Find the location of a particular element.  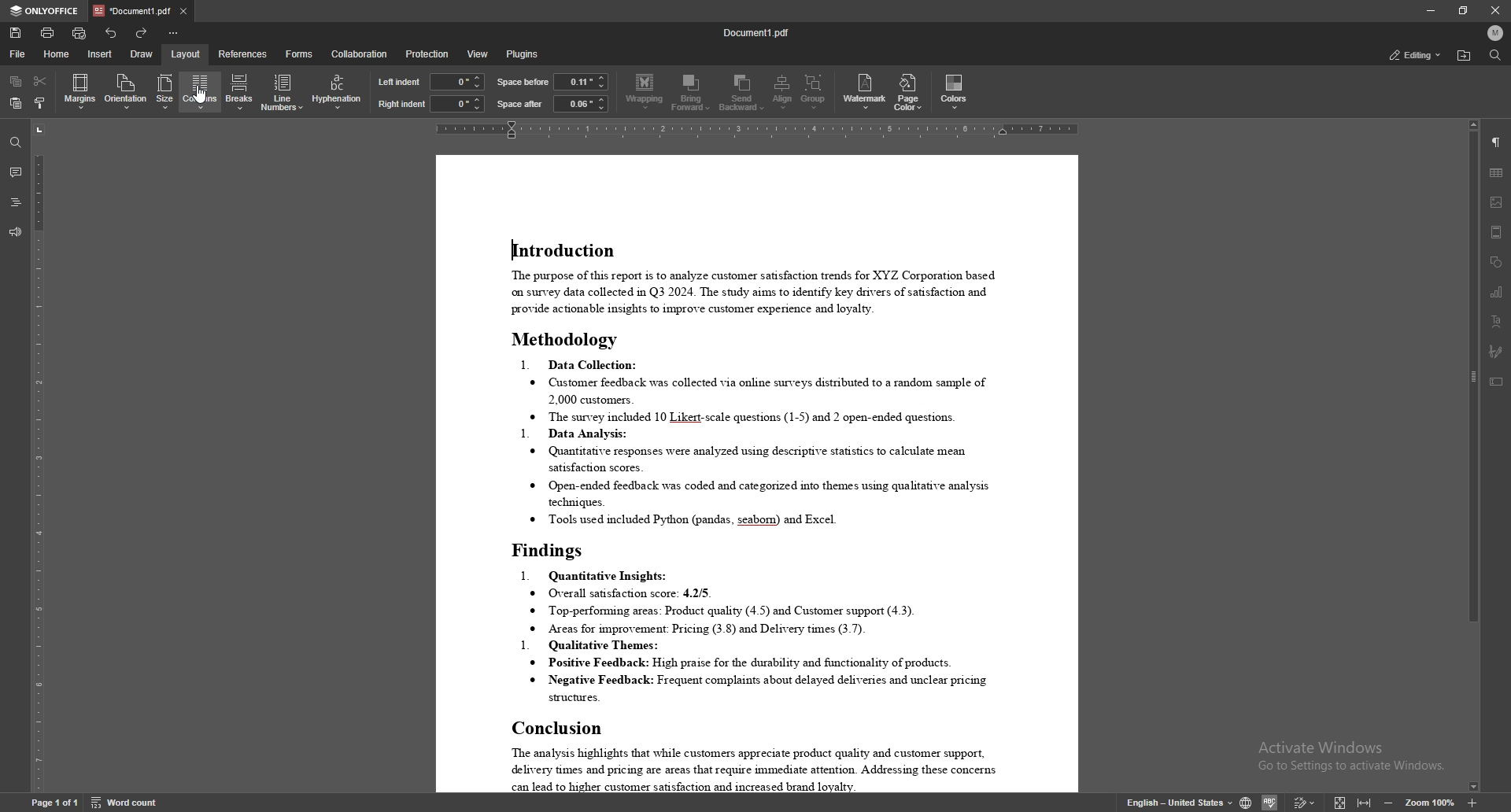

insert is located at coordinates (101, 55).